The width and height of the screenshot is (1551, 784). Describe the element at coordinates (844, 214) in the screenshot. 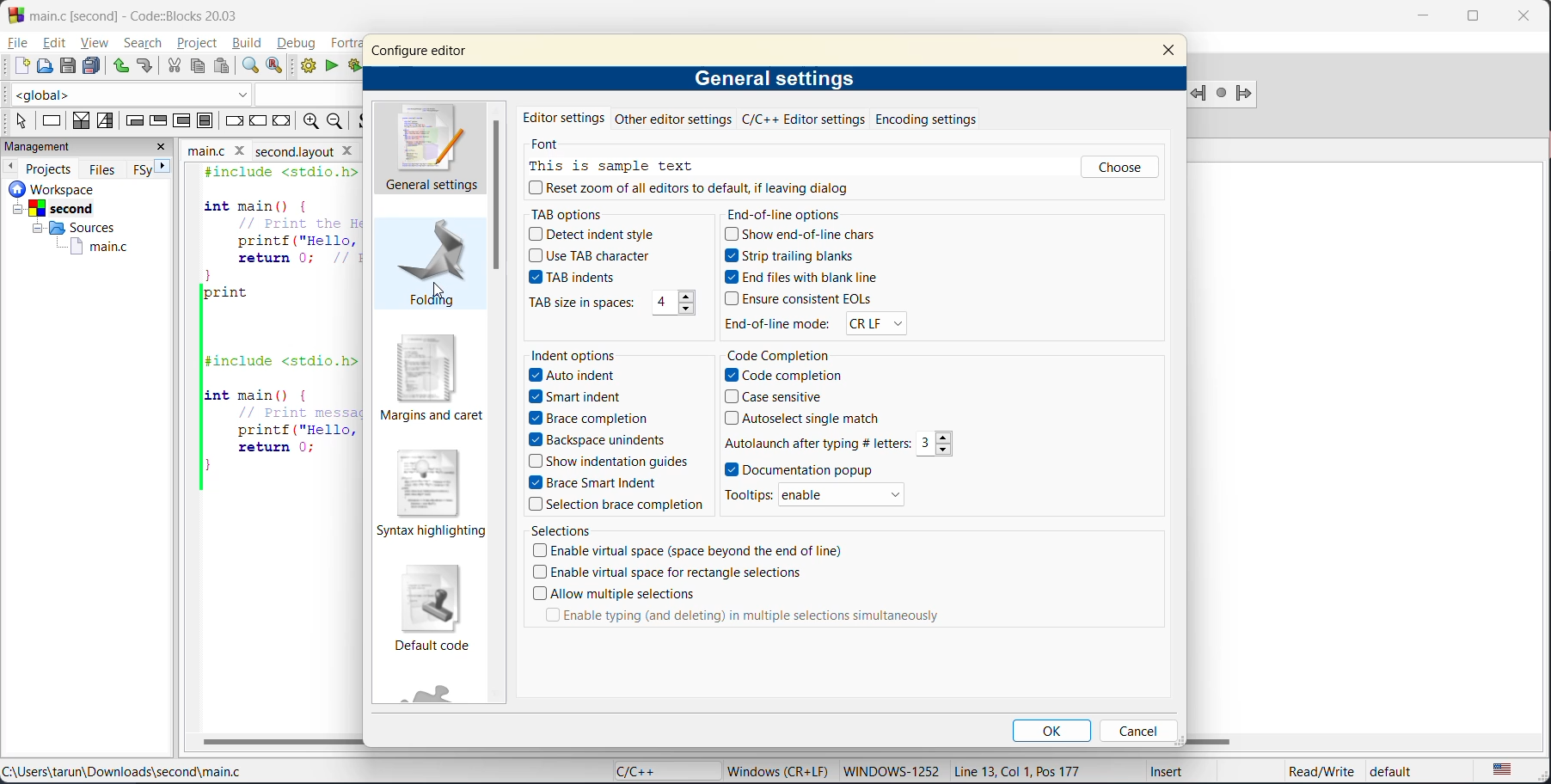

I see `end of line options` at that location.